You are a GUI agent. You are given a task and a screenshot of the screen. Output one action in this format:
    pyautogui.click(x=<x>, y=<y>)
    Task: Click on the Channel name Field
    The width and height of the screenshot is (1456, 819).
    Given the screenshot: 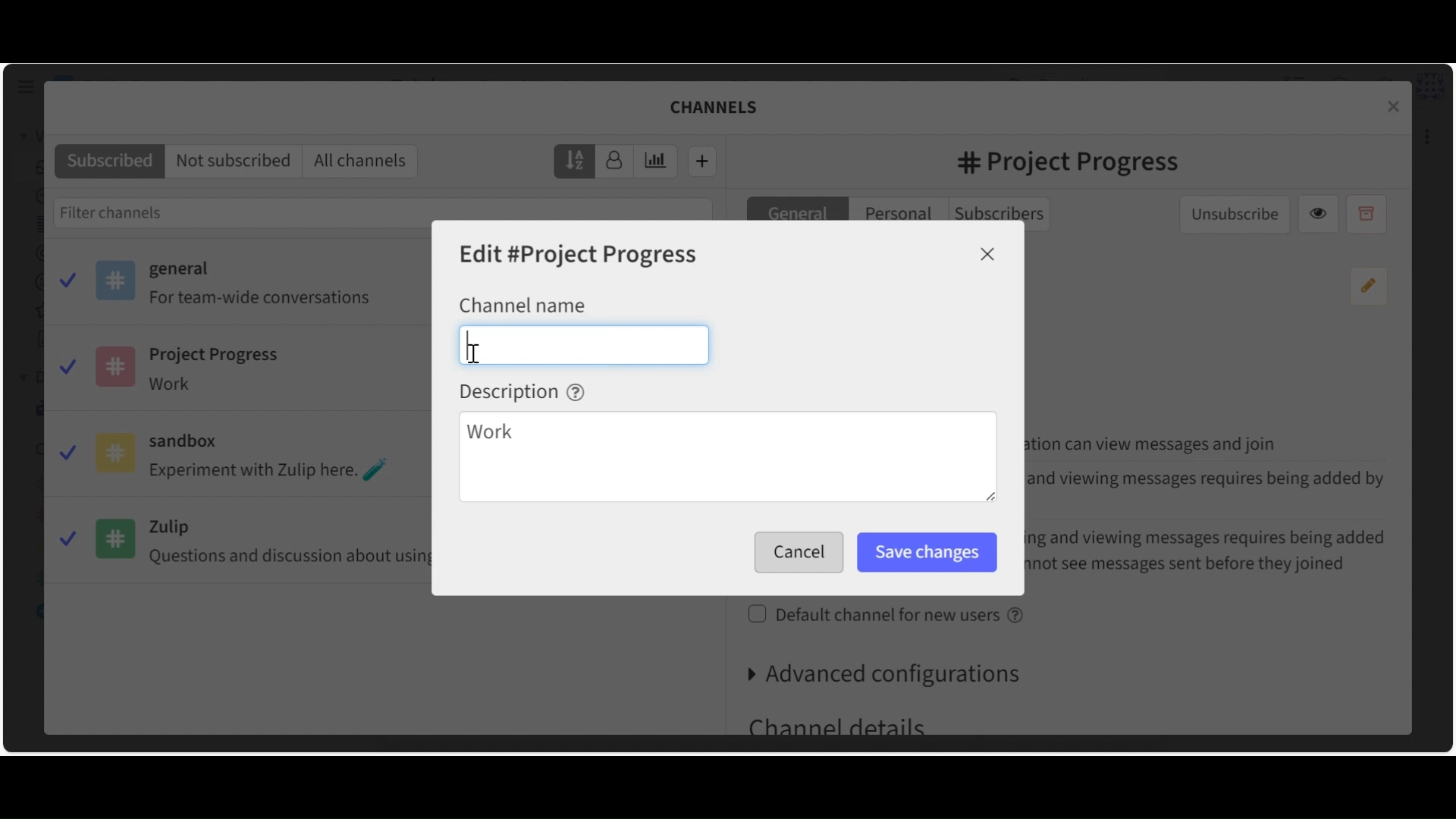 What is the action you would take?
    pyautogui.click(x=584, y=344)
    